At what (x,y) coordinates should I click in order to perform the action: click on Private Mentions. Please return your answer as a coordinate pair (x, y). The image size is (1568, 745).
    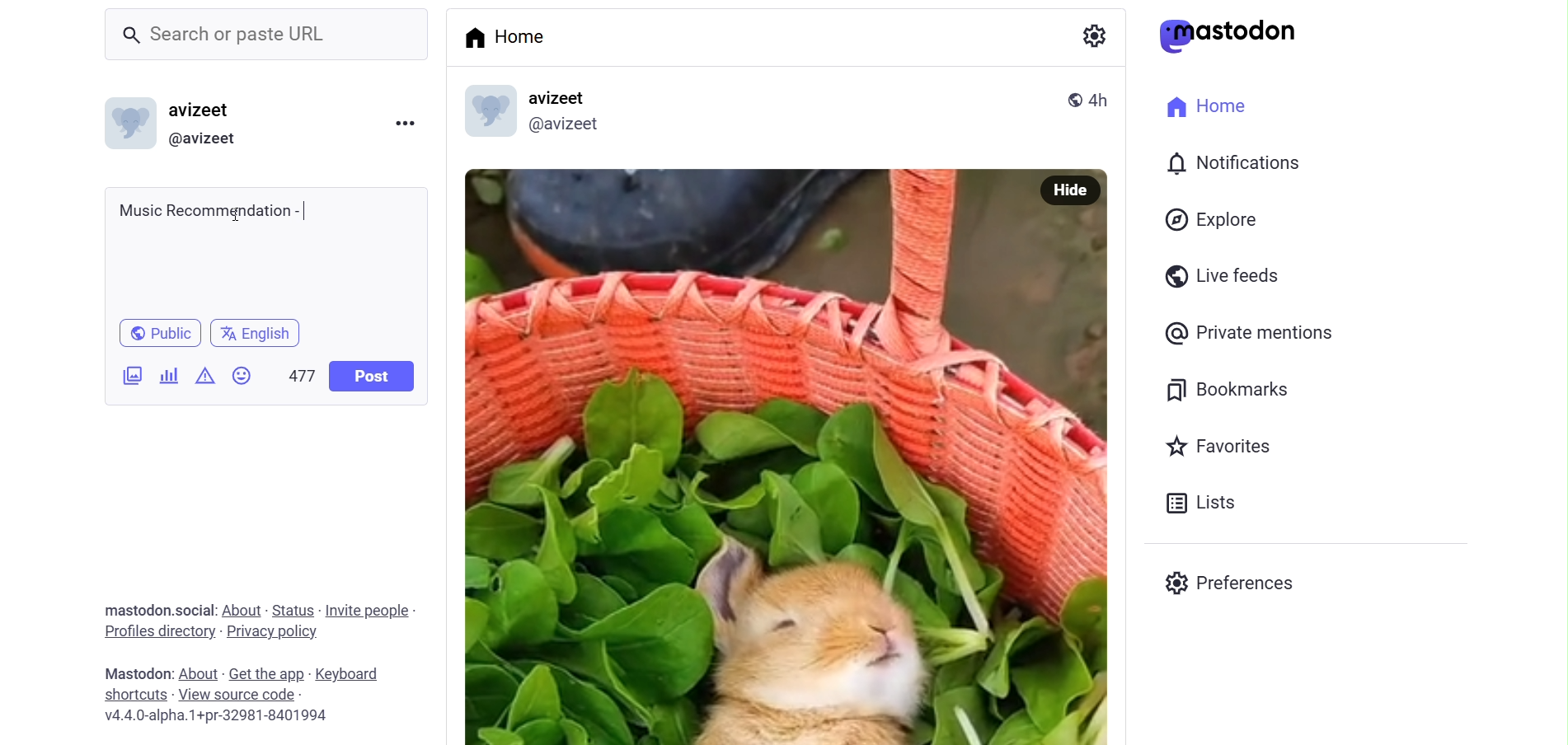
    Looking at the image, I should click on (1251, 331).